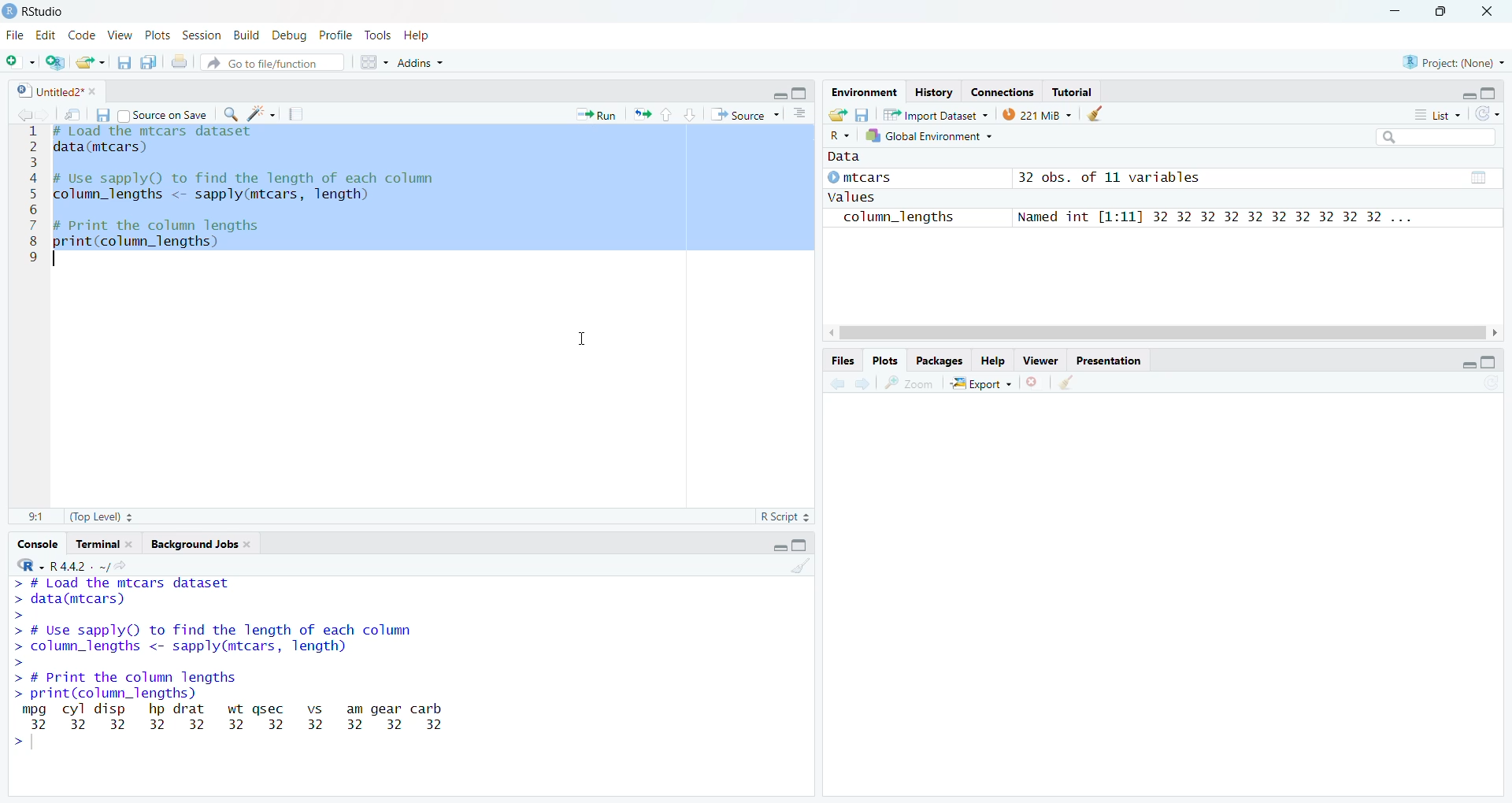 The height and width of the screenshot is (803, 1512). What do you see at coordinates (1468, 94) in the screenshot?
I see `Hide` at bounding box center [1468, 94].